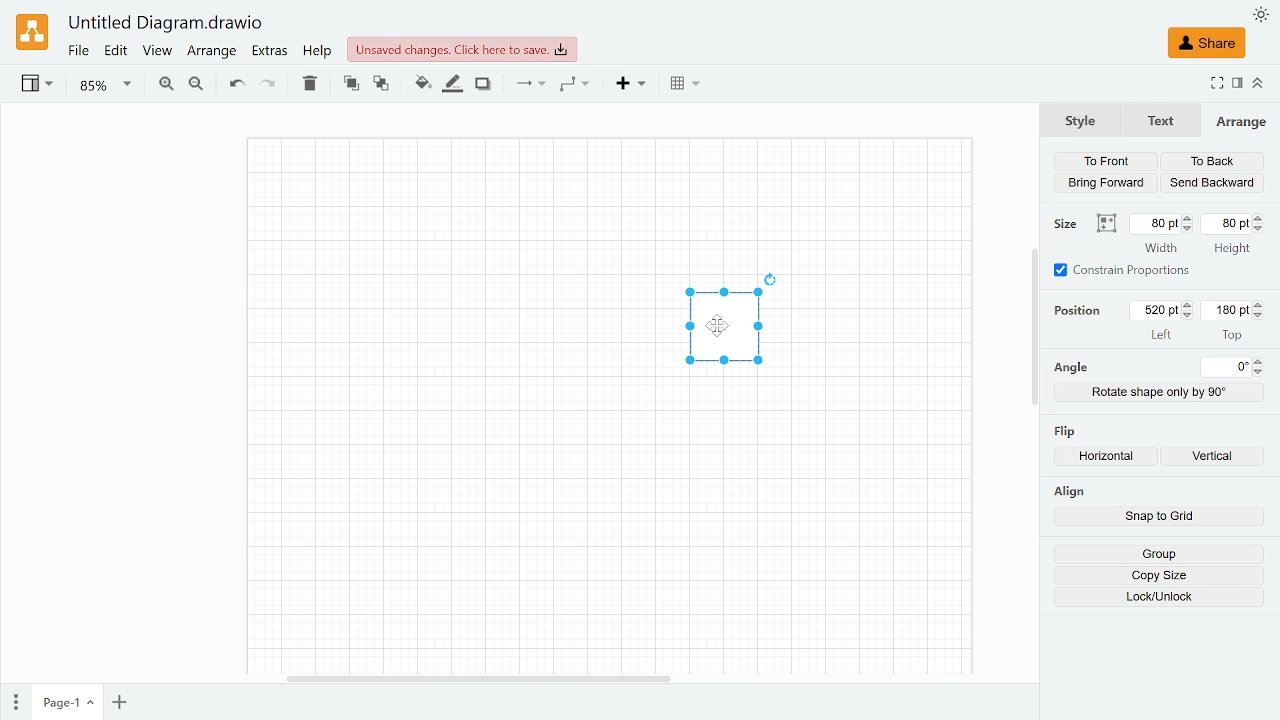  I want to click on Unsaved changes. Click here to save., so click(462, 49).